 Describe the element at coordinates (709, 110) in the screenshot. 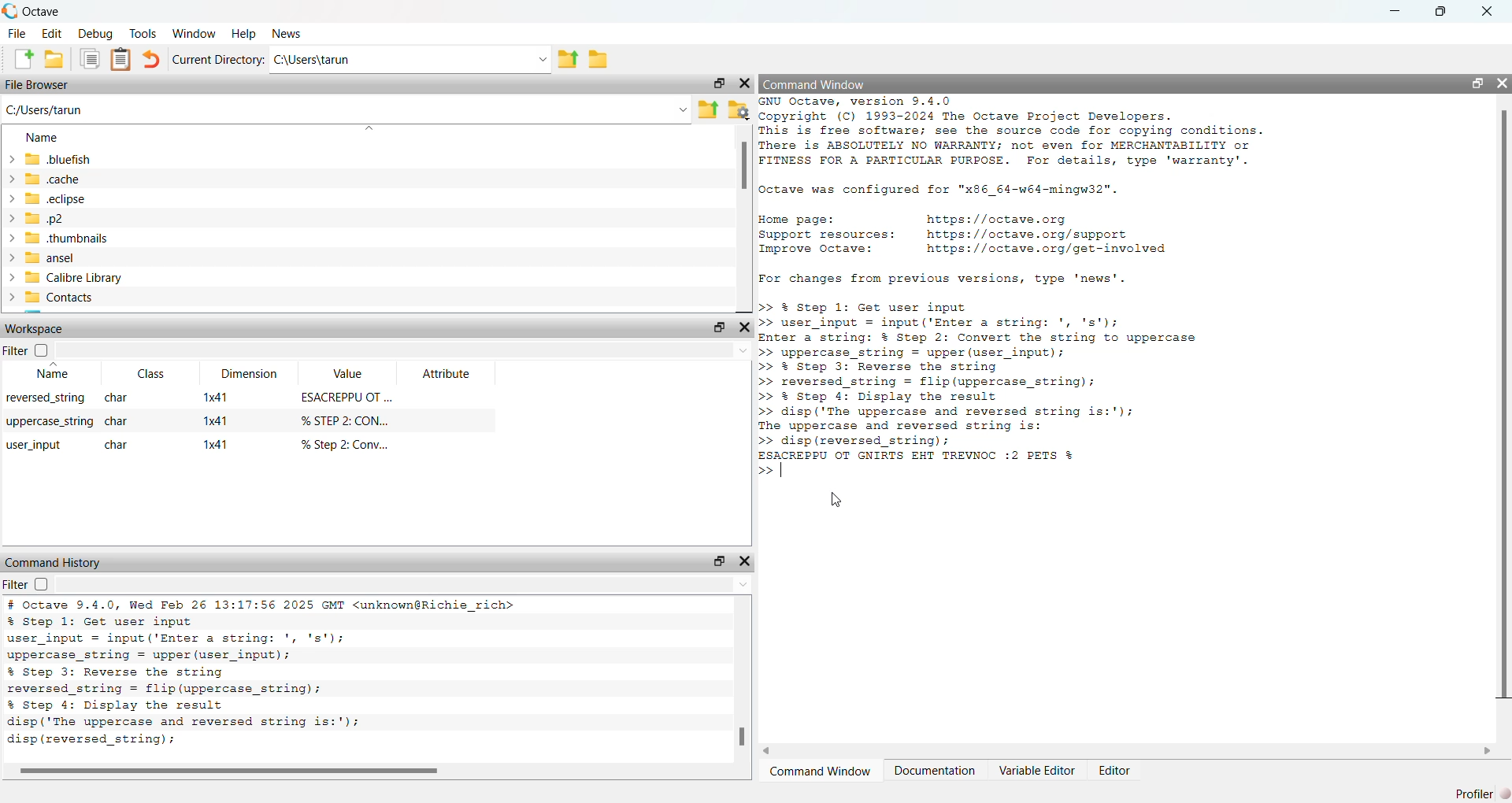

I see `one directory up` at that location.